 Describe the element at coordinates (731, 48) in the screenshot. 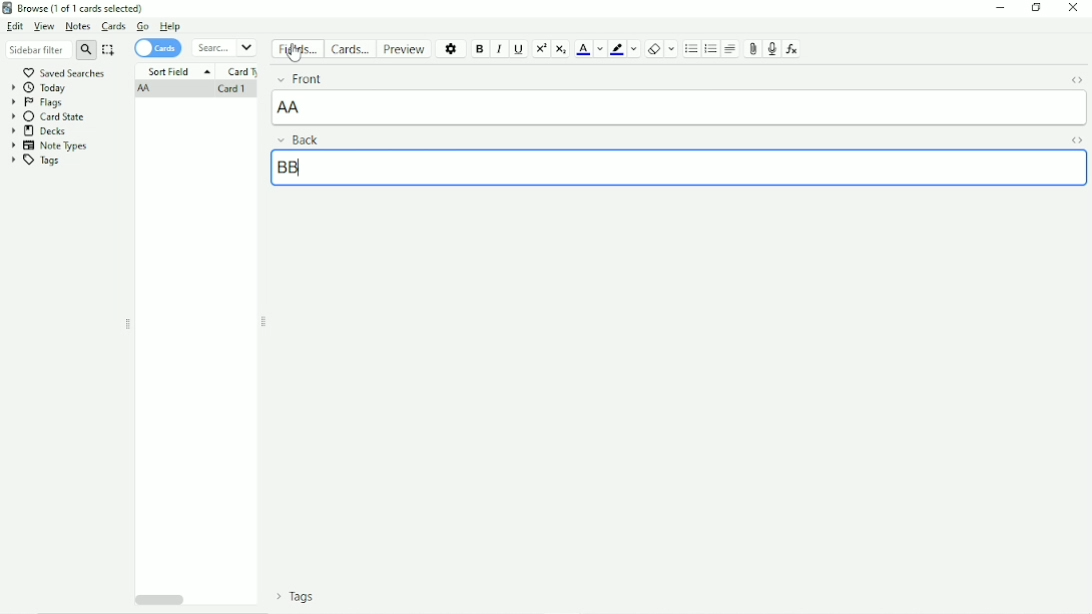

I see `Alignment` at that location.